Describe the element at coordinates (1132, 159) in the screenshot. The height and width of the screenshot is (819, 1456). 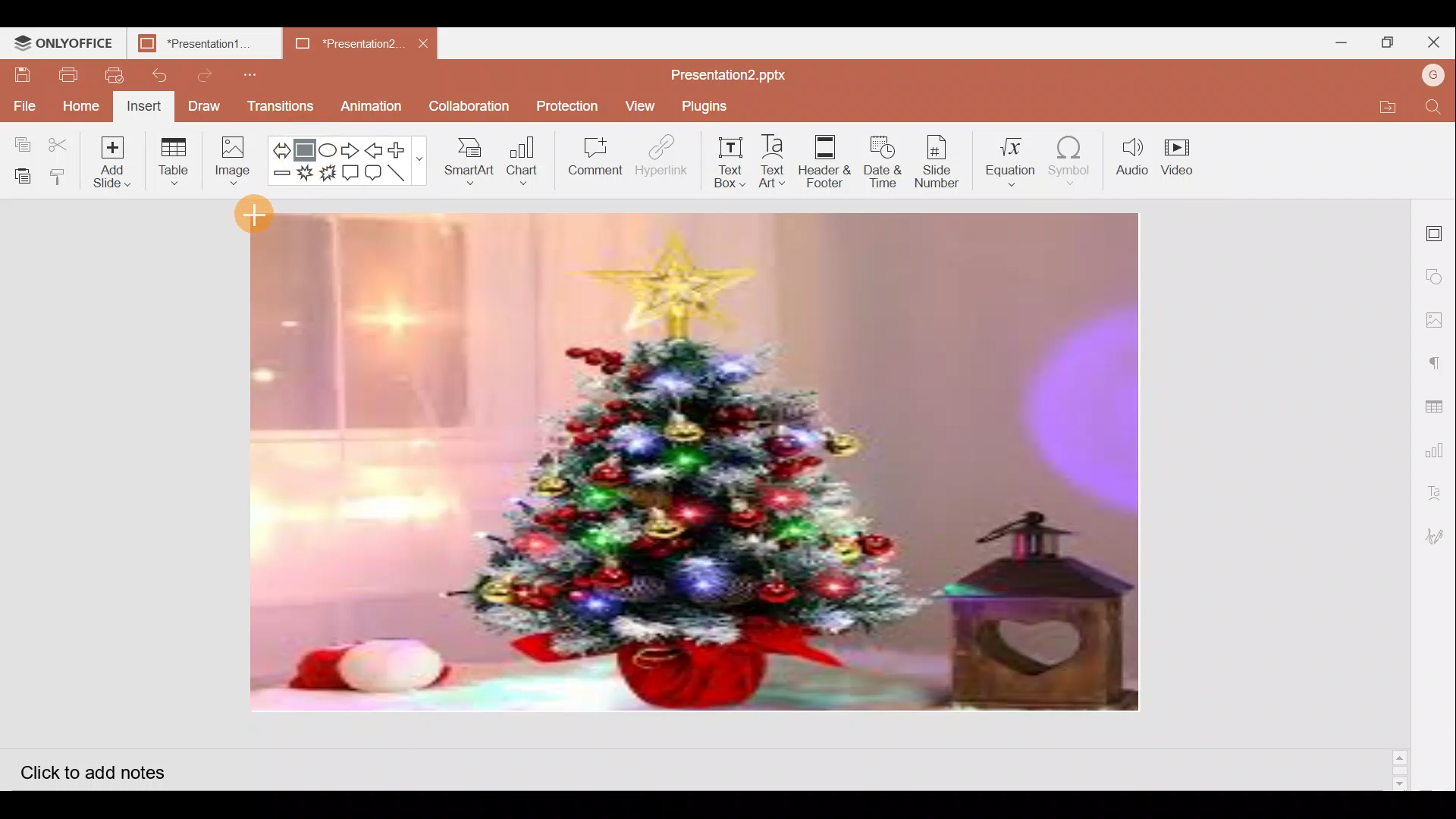
I see `Audio` at that location.